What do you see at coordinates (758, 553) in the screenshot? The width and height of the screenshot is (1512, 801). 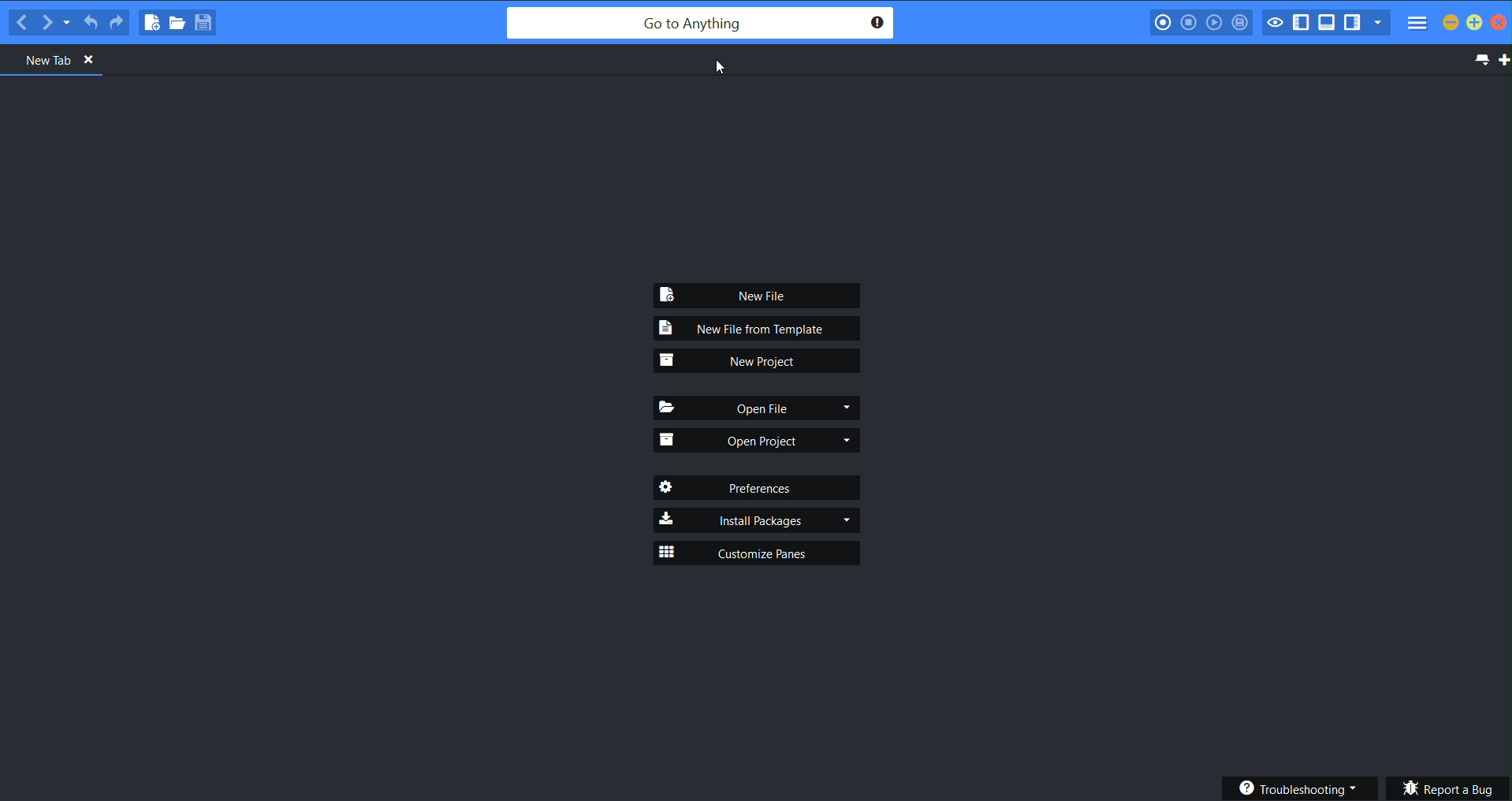 I see `customize panes` at bounding box center [758, 553].